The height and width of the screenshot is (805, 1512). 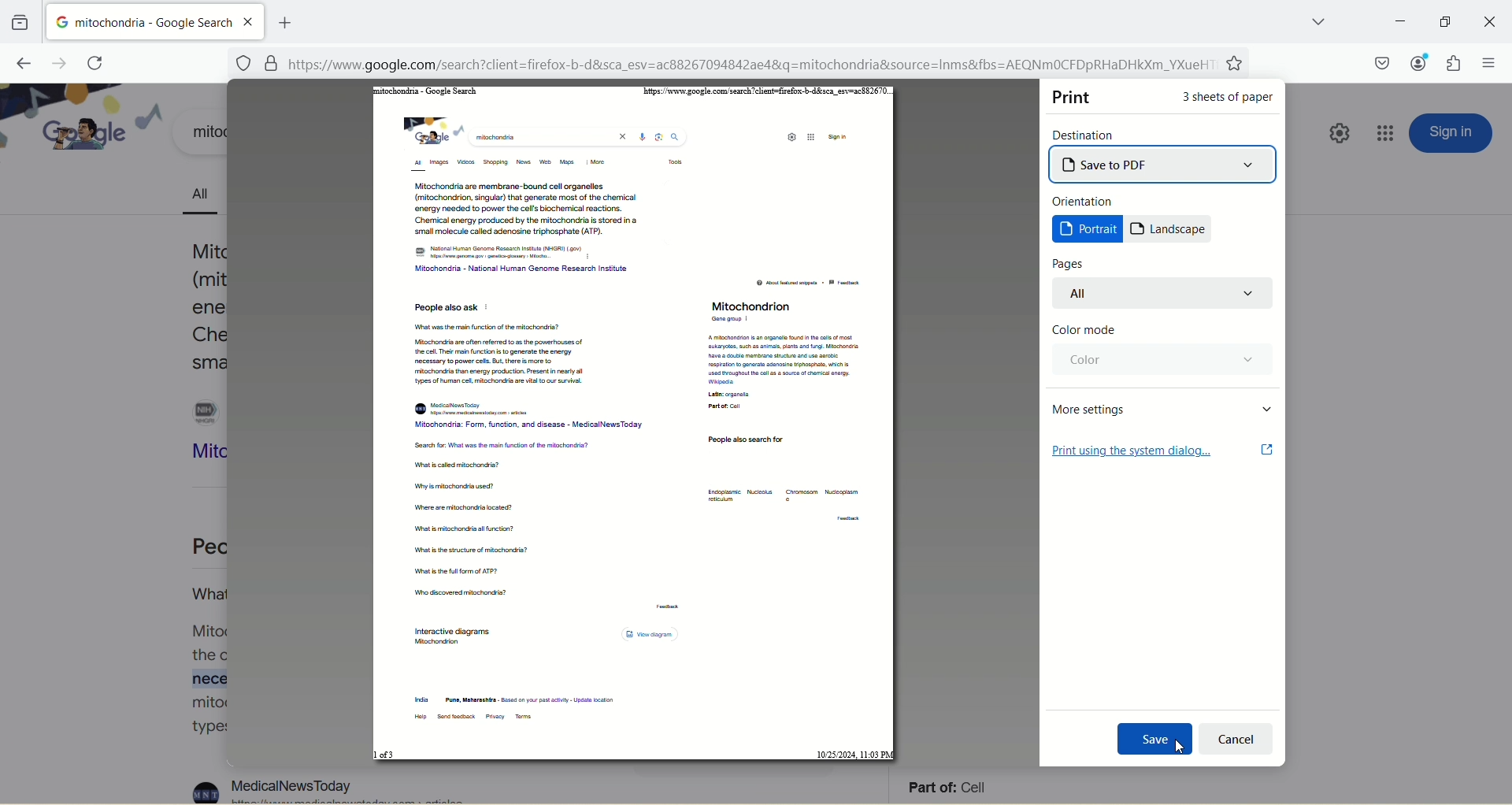 I want to click on cursor, so click(x=1178, y=751).